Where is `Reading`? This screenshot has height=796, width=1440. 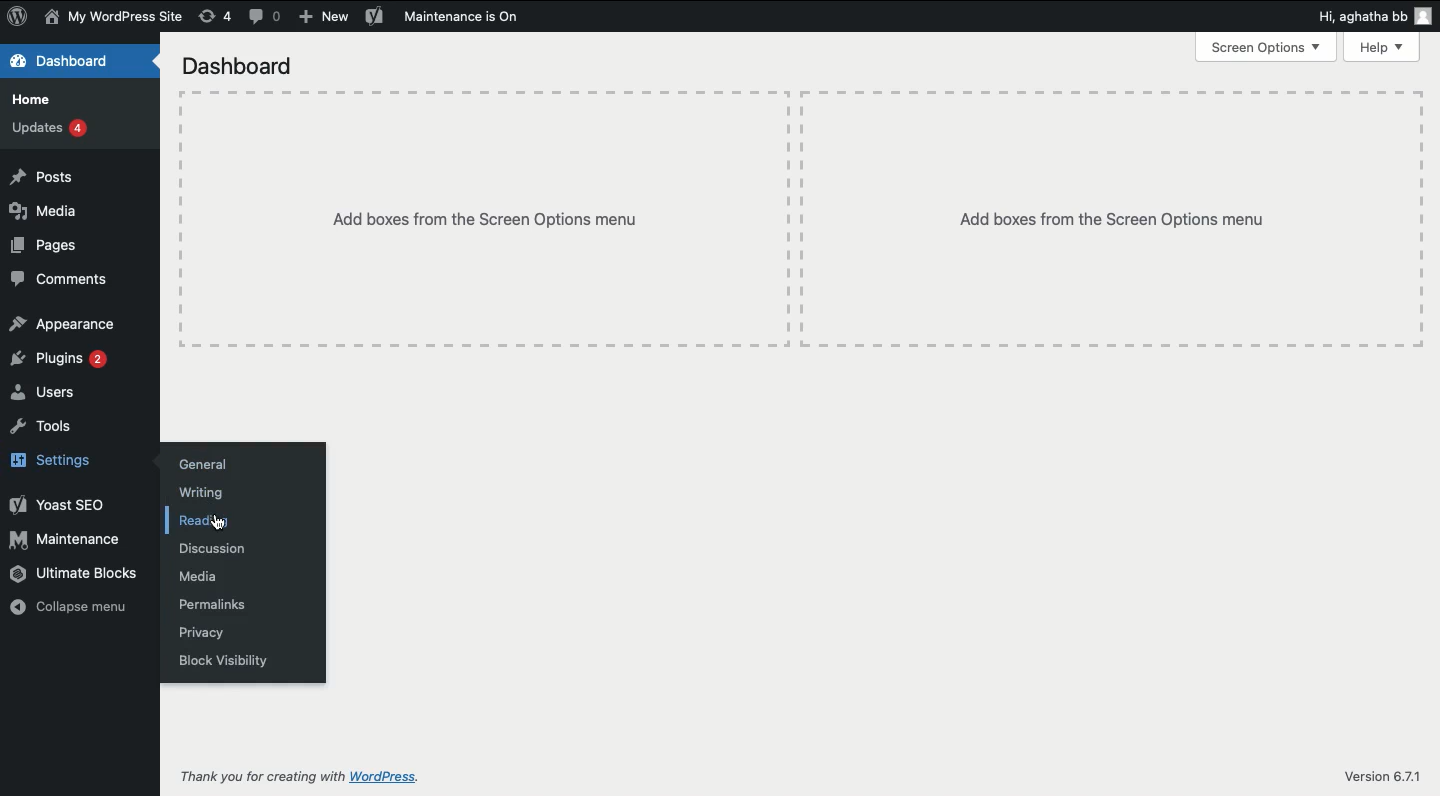 Reading is located at coordinates (204, 521).